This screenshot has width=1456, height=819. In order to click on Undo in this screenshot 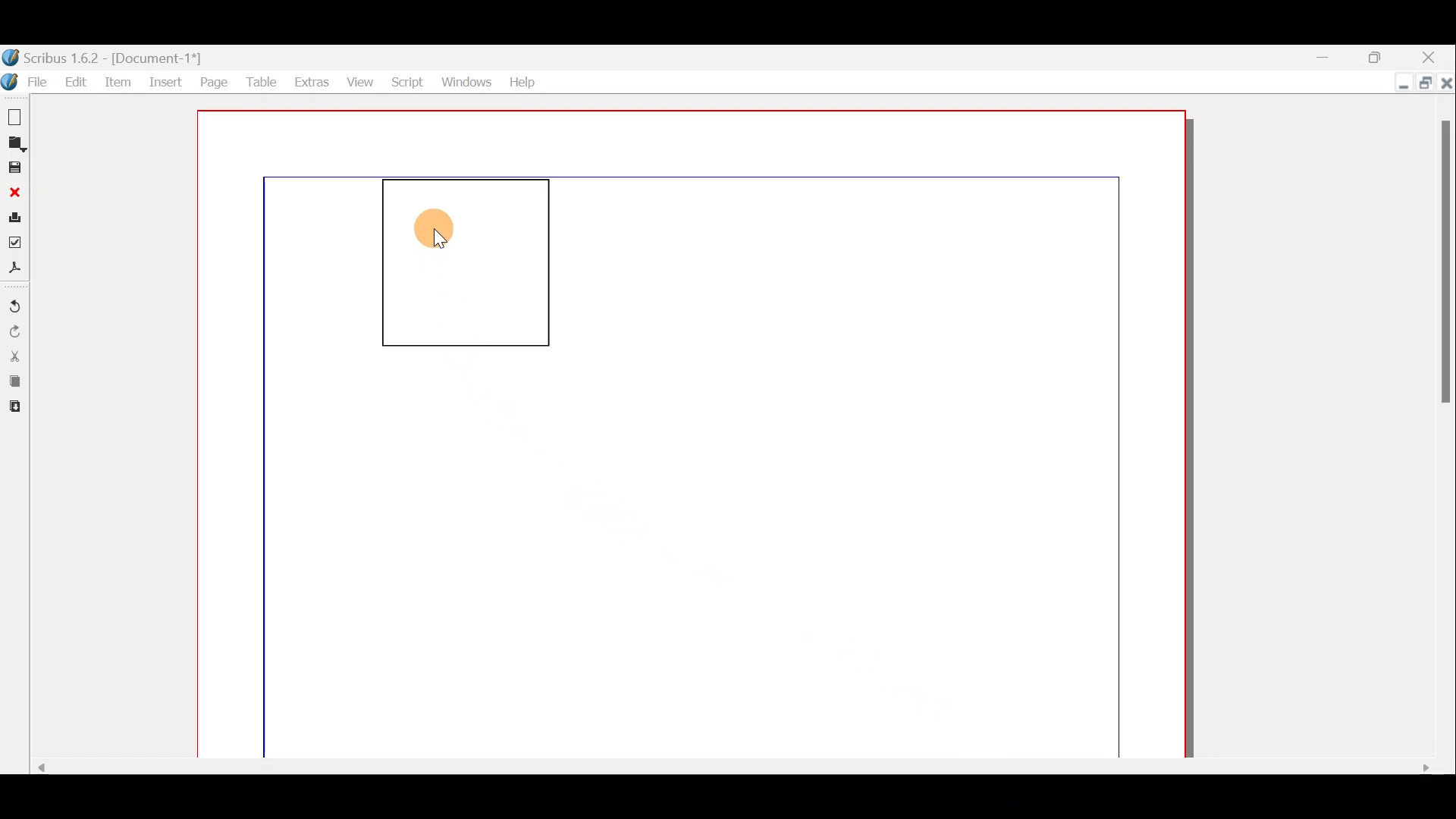, I will do `click(14, 307)`.